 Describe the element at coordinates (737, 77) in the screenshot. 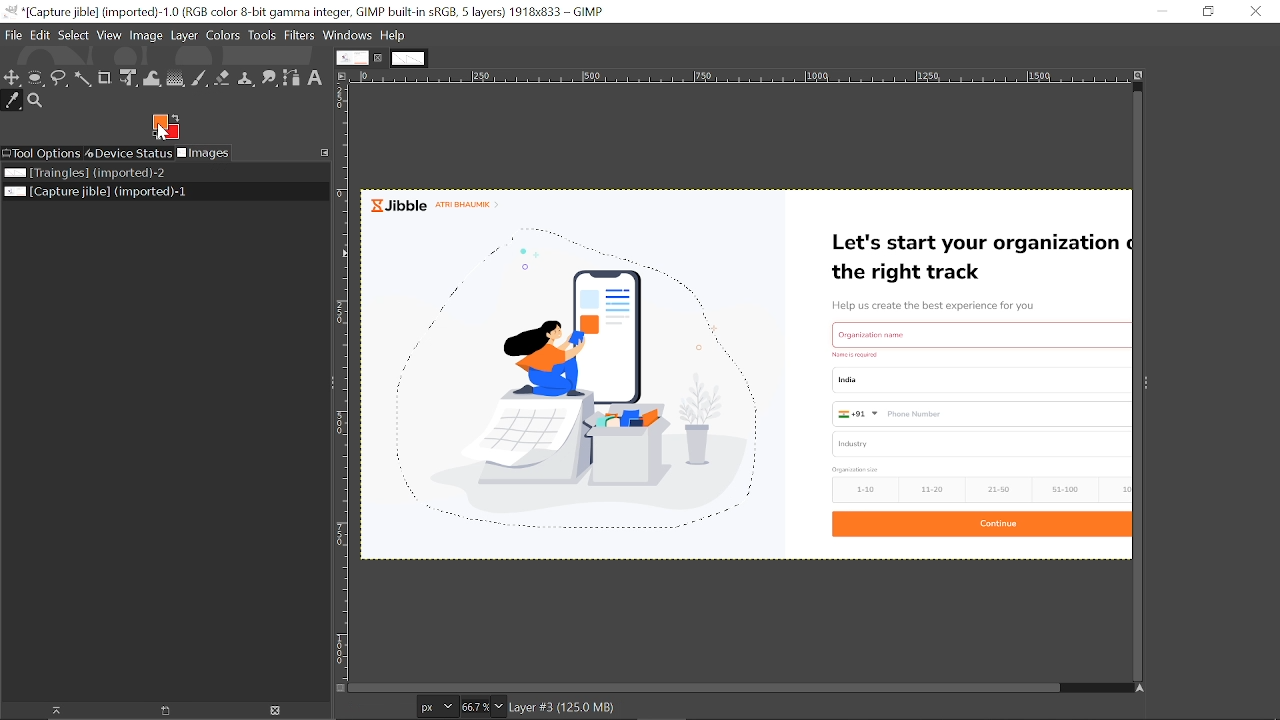

I see `Horizontal label` at that location.